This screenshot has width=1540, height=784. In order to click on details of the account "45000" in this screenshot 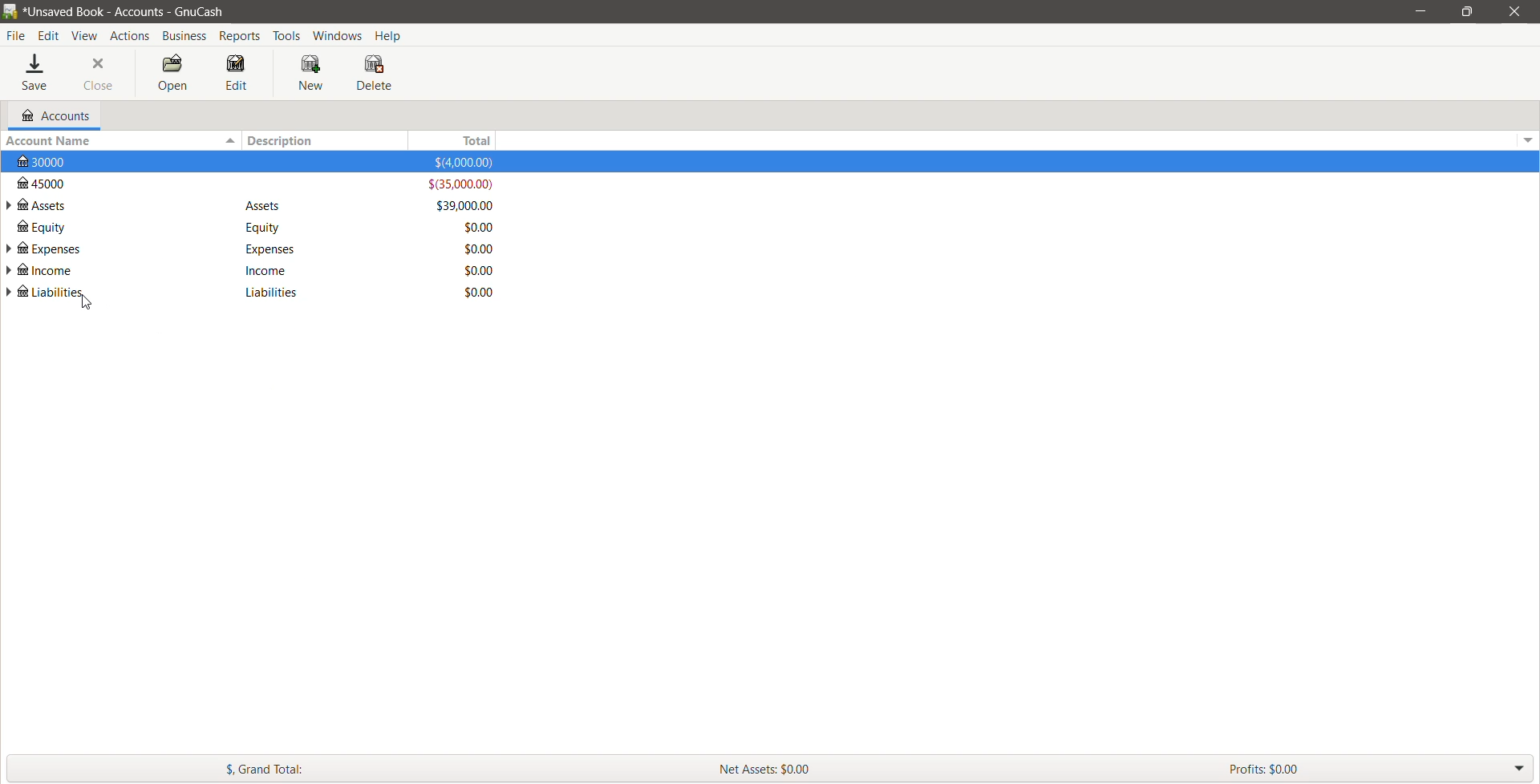, I will do `click(257, 184)`.